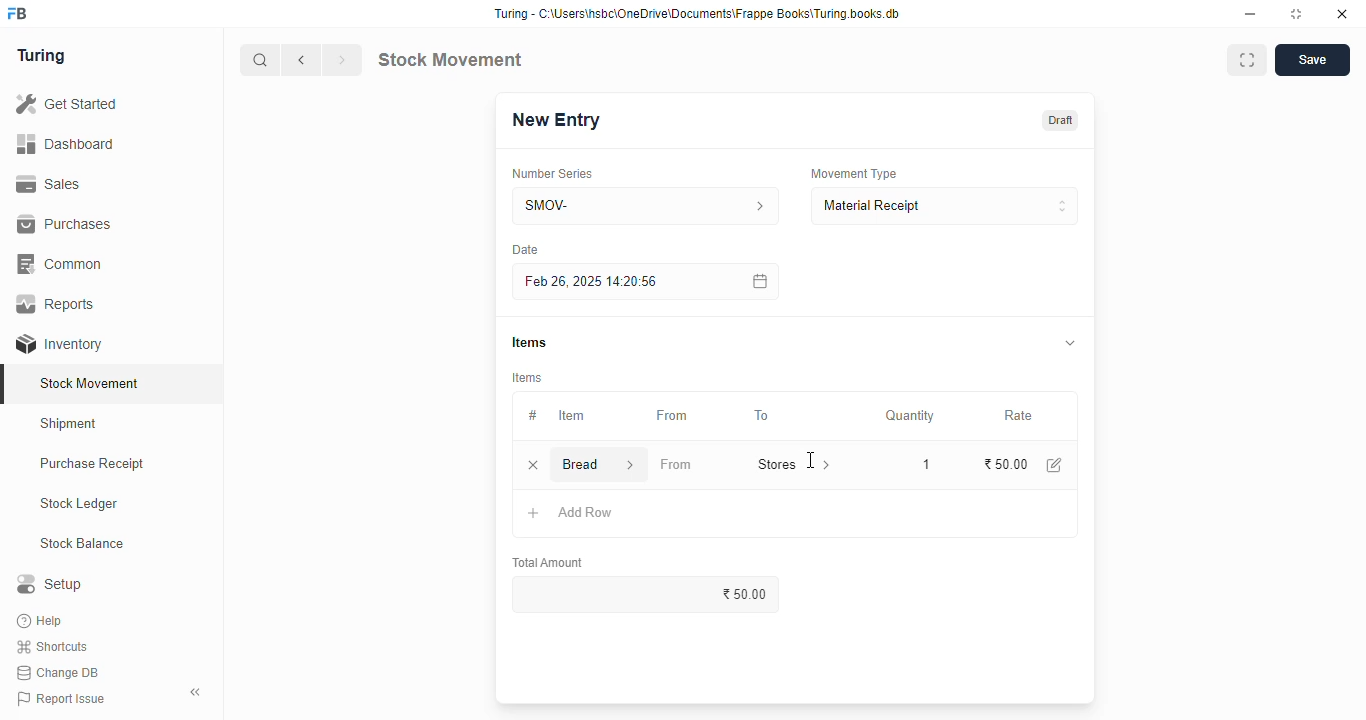 This screenshot has height=720, width=1366. What do you see at coordinates (922, 463) in the screenshot?
I see `1` at bounding box center [922, 463].